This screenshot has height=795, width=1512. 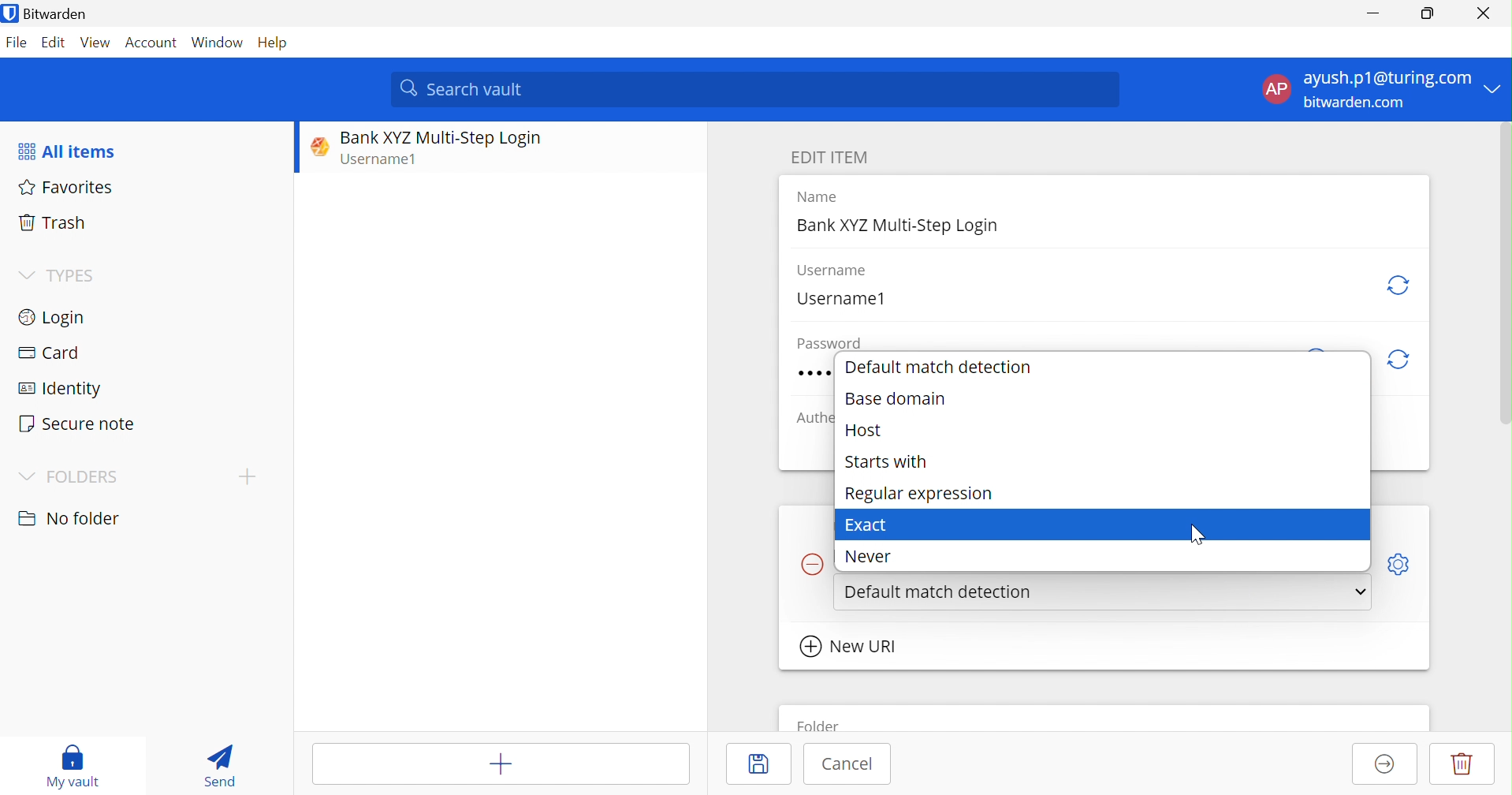 I want to click on TYPES, so click(x=76, y=275).